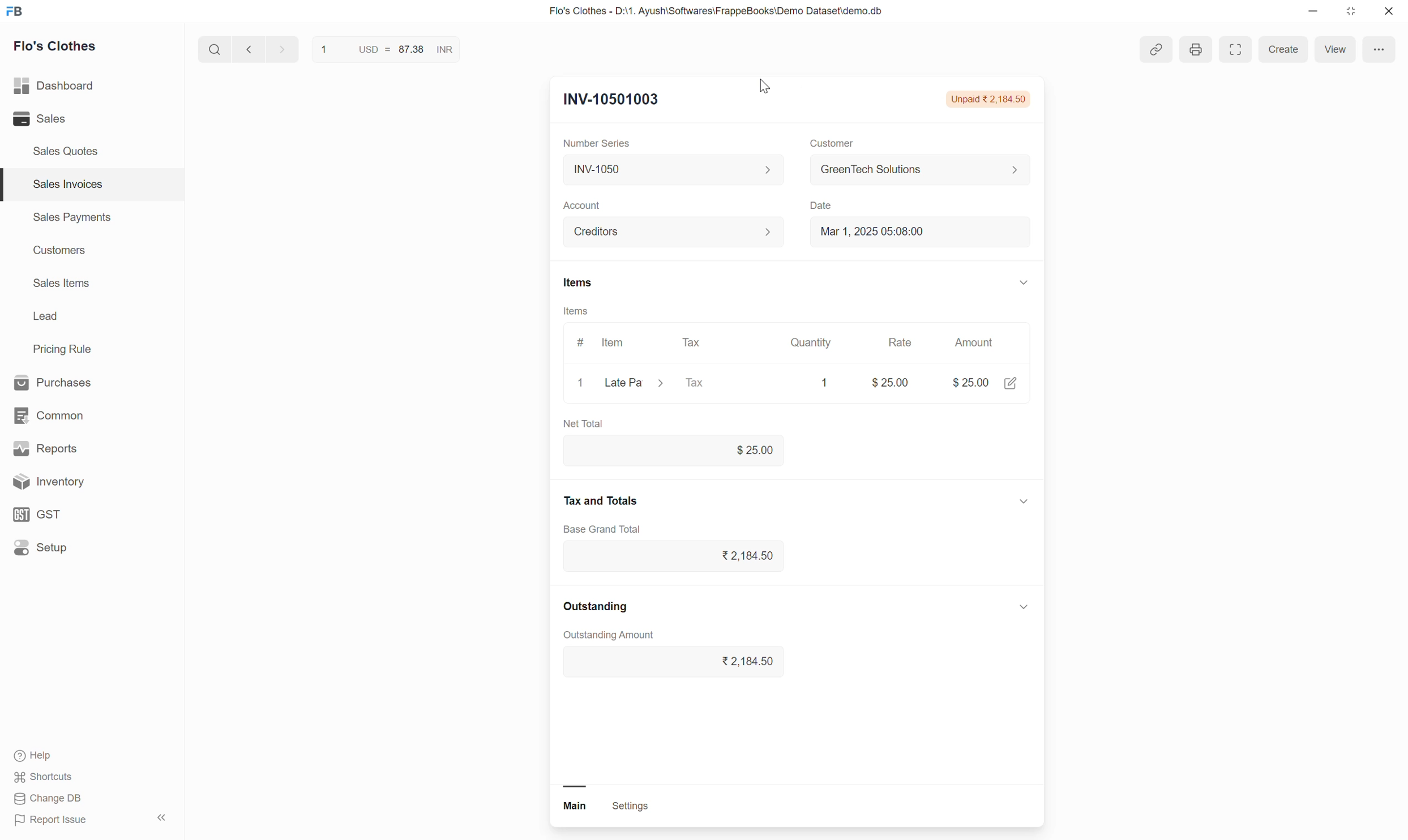 This screenshot has height=840, width=1408. What do you see at coordinates (686, 560) in the screenshot?
I see `tax input box` at bounding box center [686, 560].